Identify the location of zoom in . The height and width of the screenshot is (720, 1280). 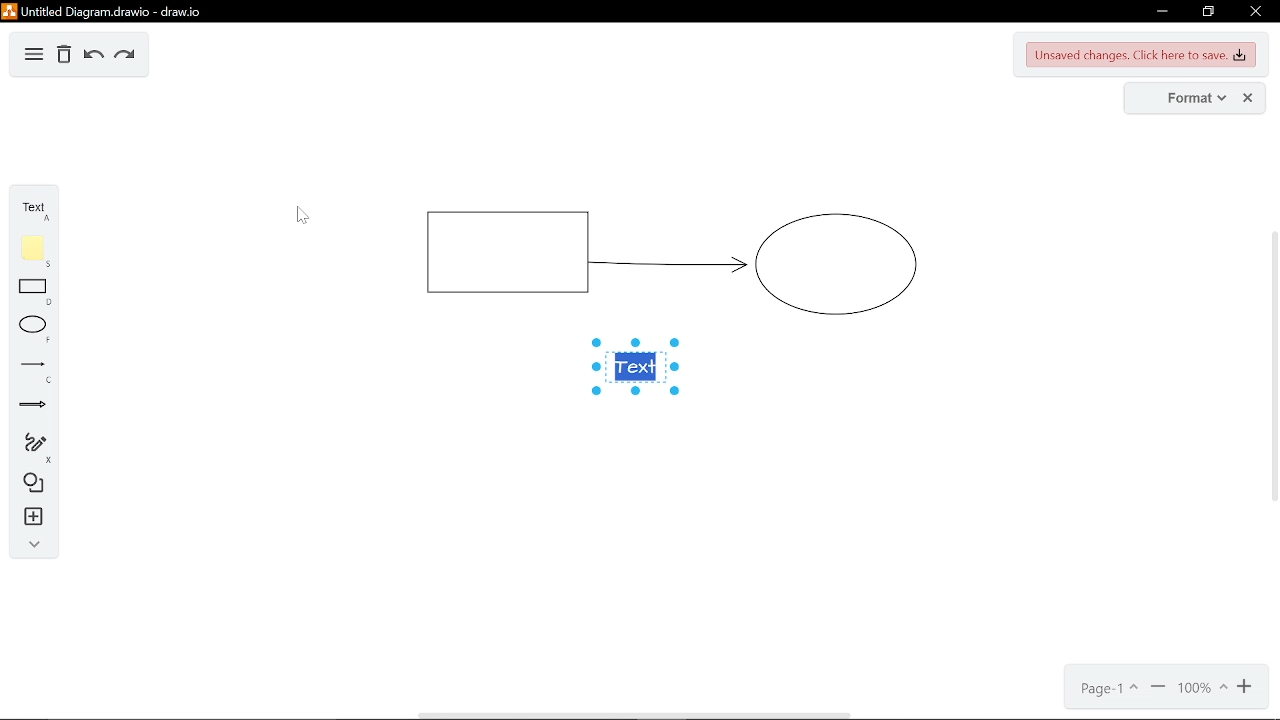
(1158, 689).